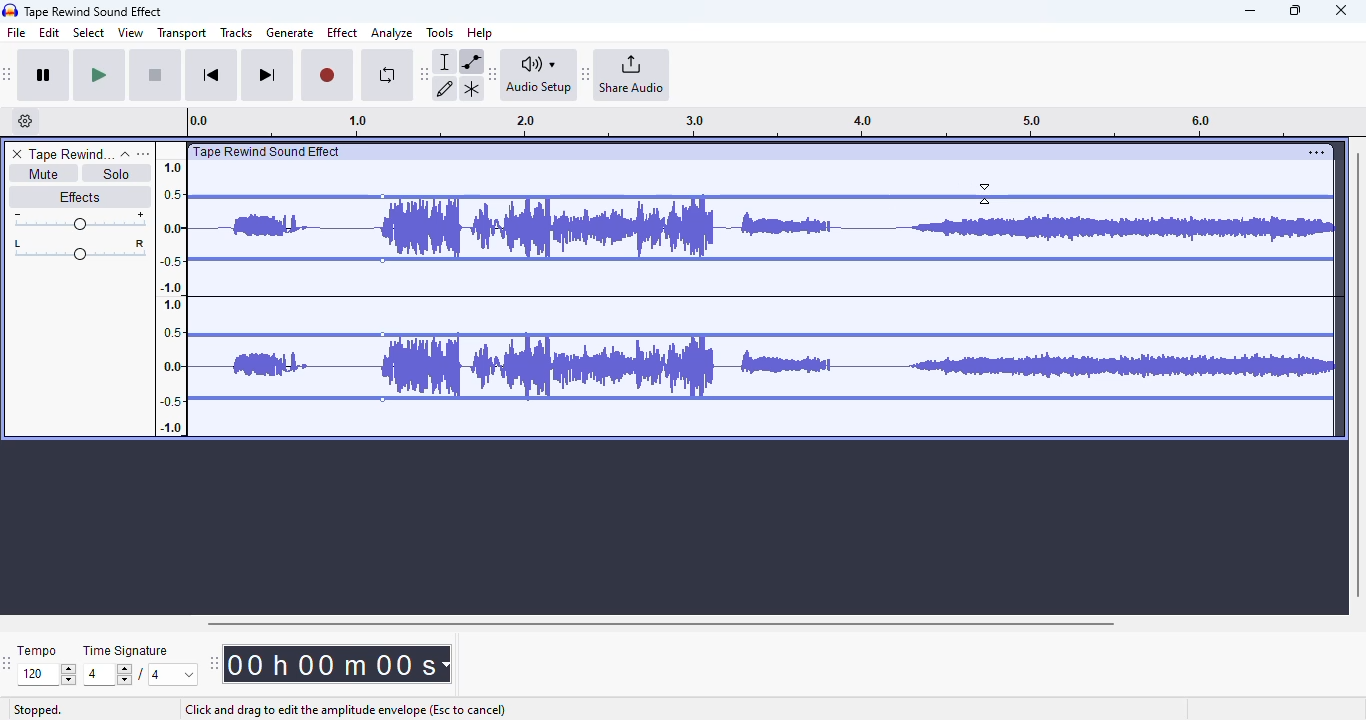  What do you see at coordinates (1357, 372) in the screenshot?
I see `vertical scroll bar` at bounding box center [1357, 372].